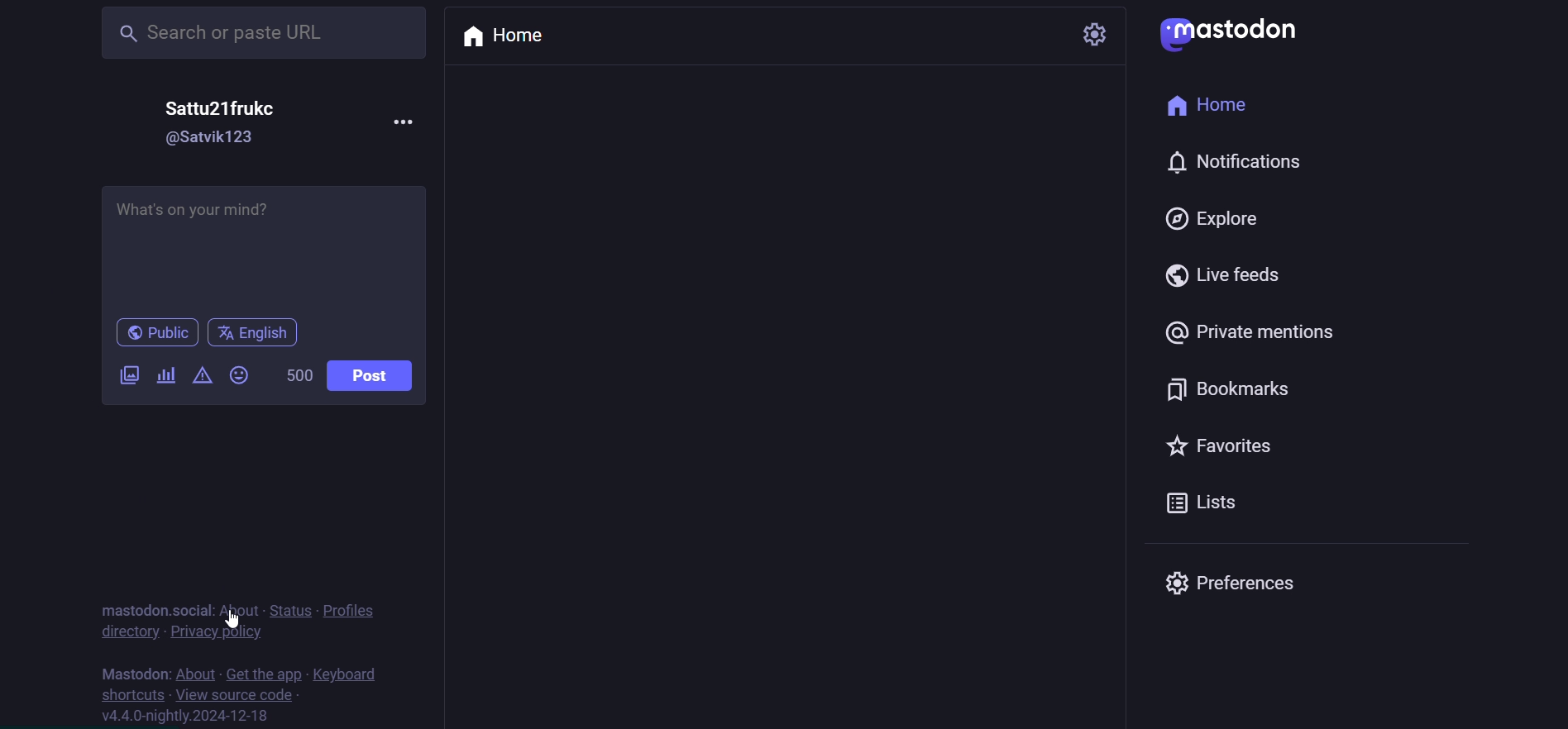 The image size is (1568, 729). Describe the element at coordinates (1241, 34) in the screenshot. I see `logo` at that location.